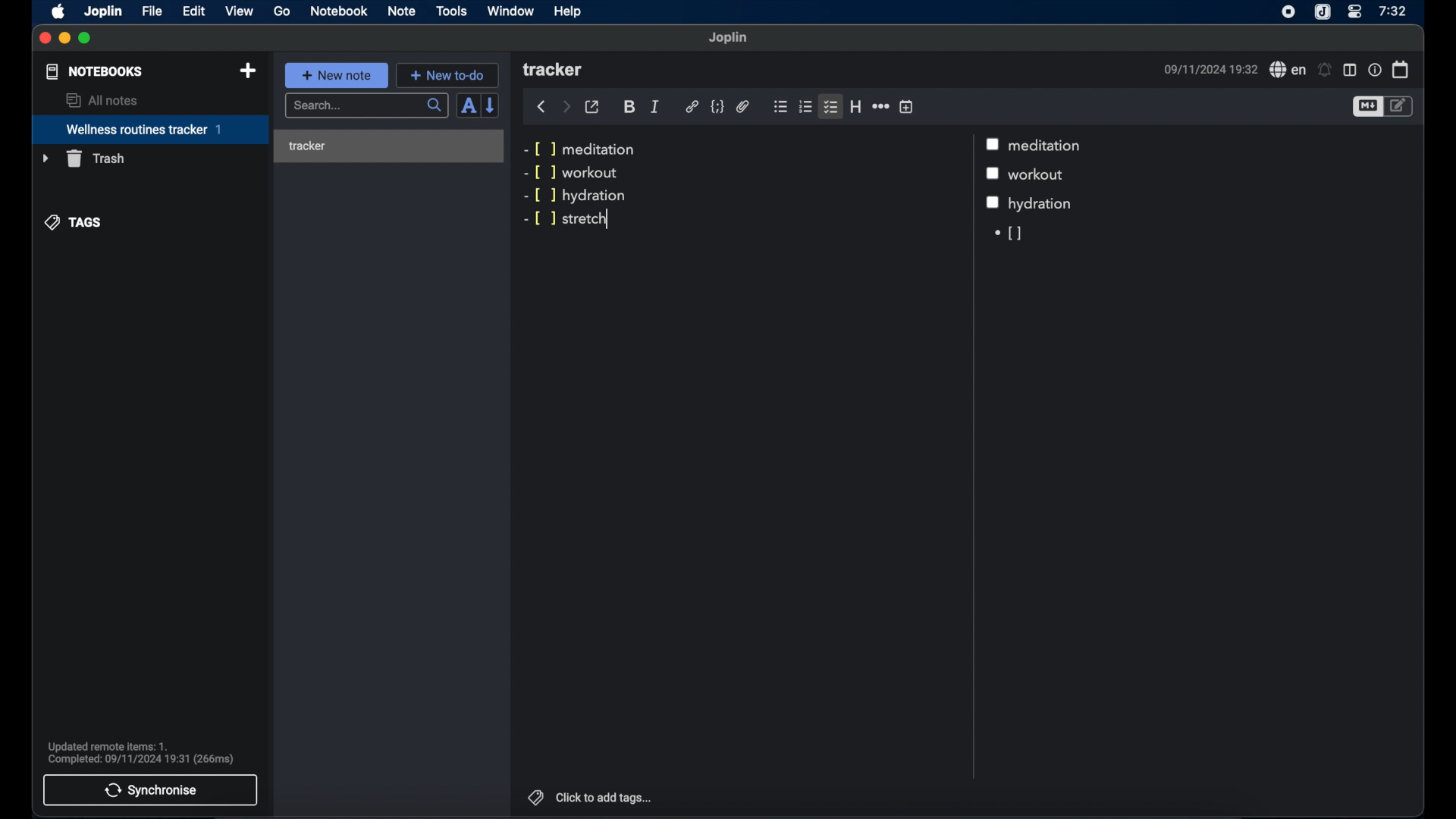 This screenshot has width=1456, height=819. I want to click on view, so click(239, 11).